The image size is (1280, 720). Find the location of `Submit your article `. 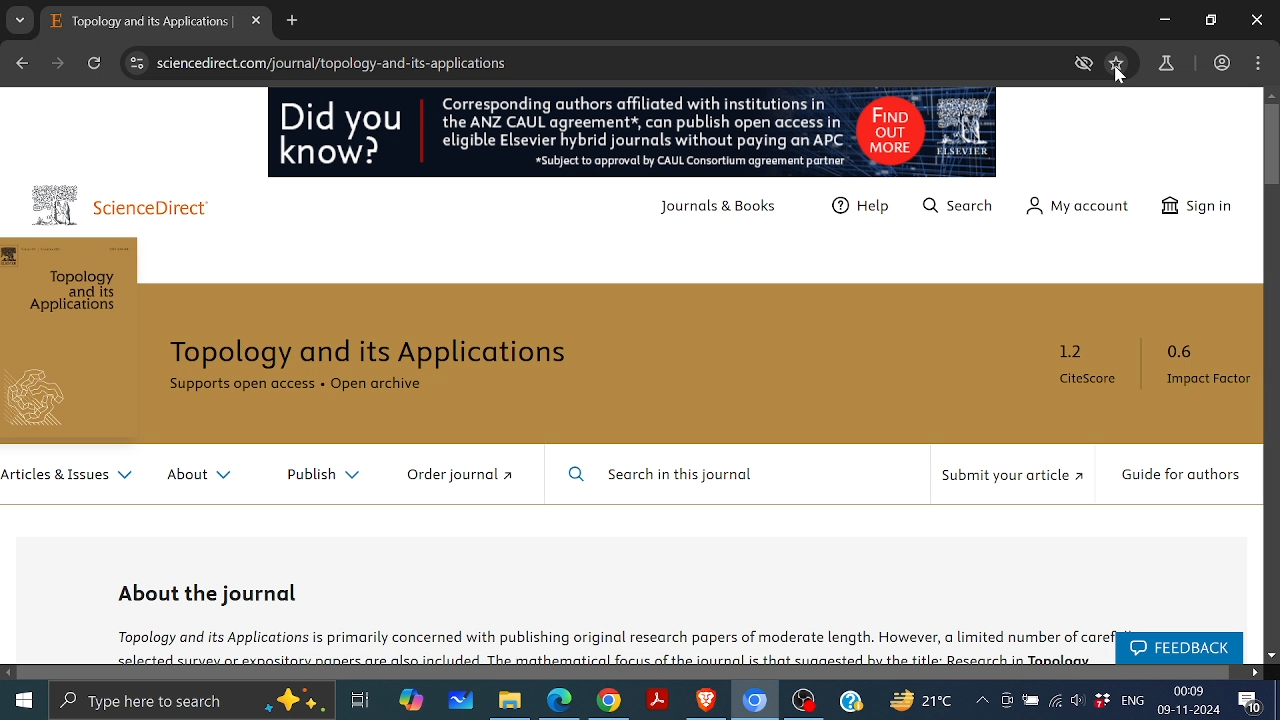

Submit your article  is located at coordinates (1011, 481).